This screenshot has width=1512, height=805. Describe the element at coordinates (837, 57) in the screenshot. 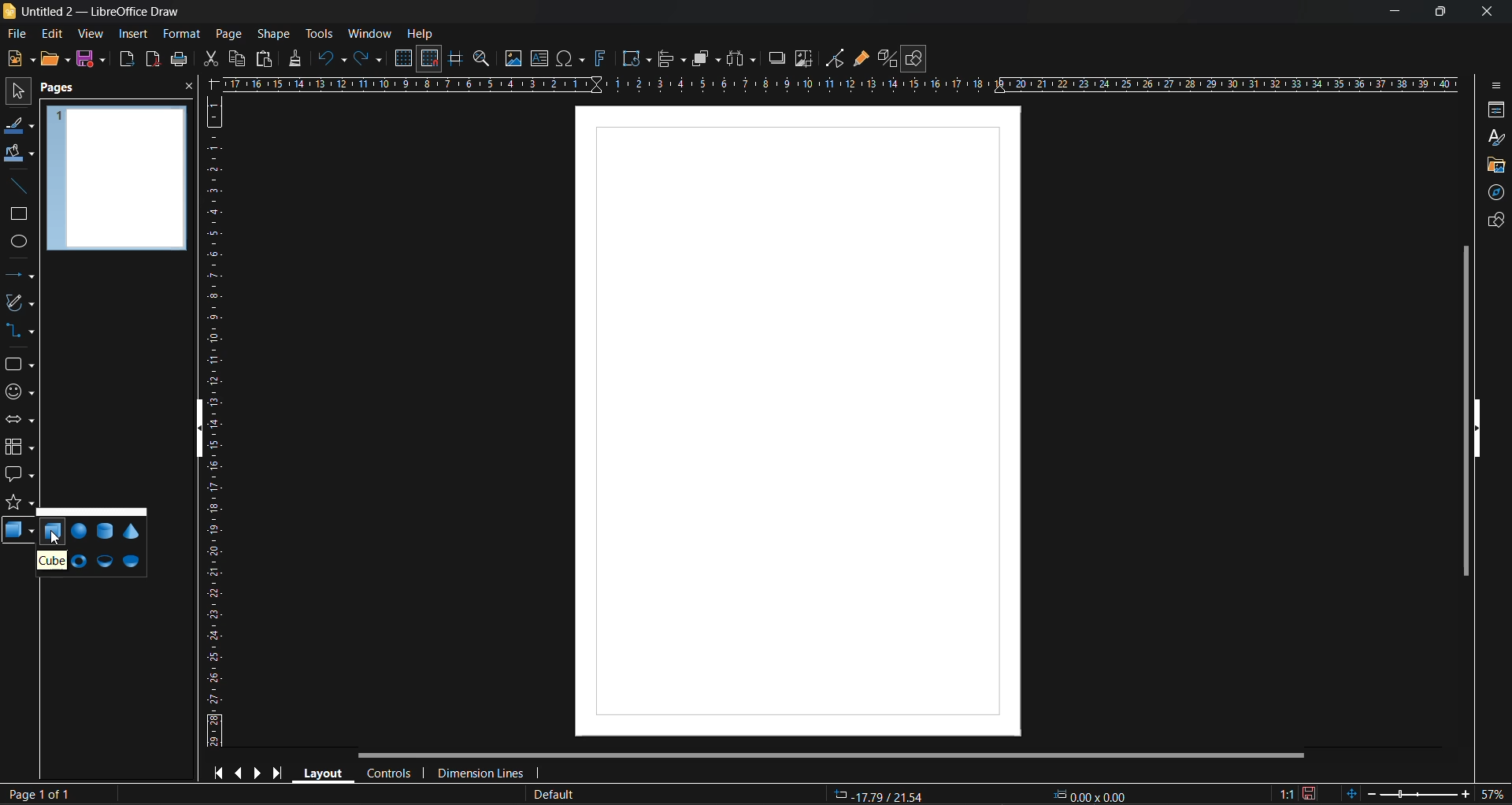

I see `toggle point edit mode` at that location.